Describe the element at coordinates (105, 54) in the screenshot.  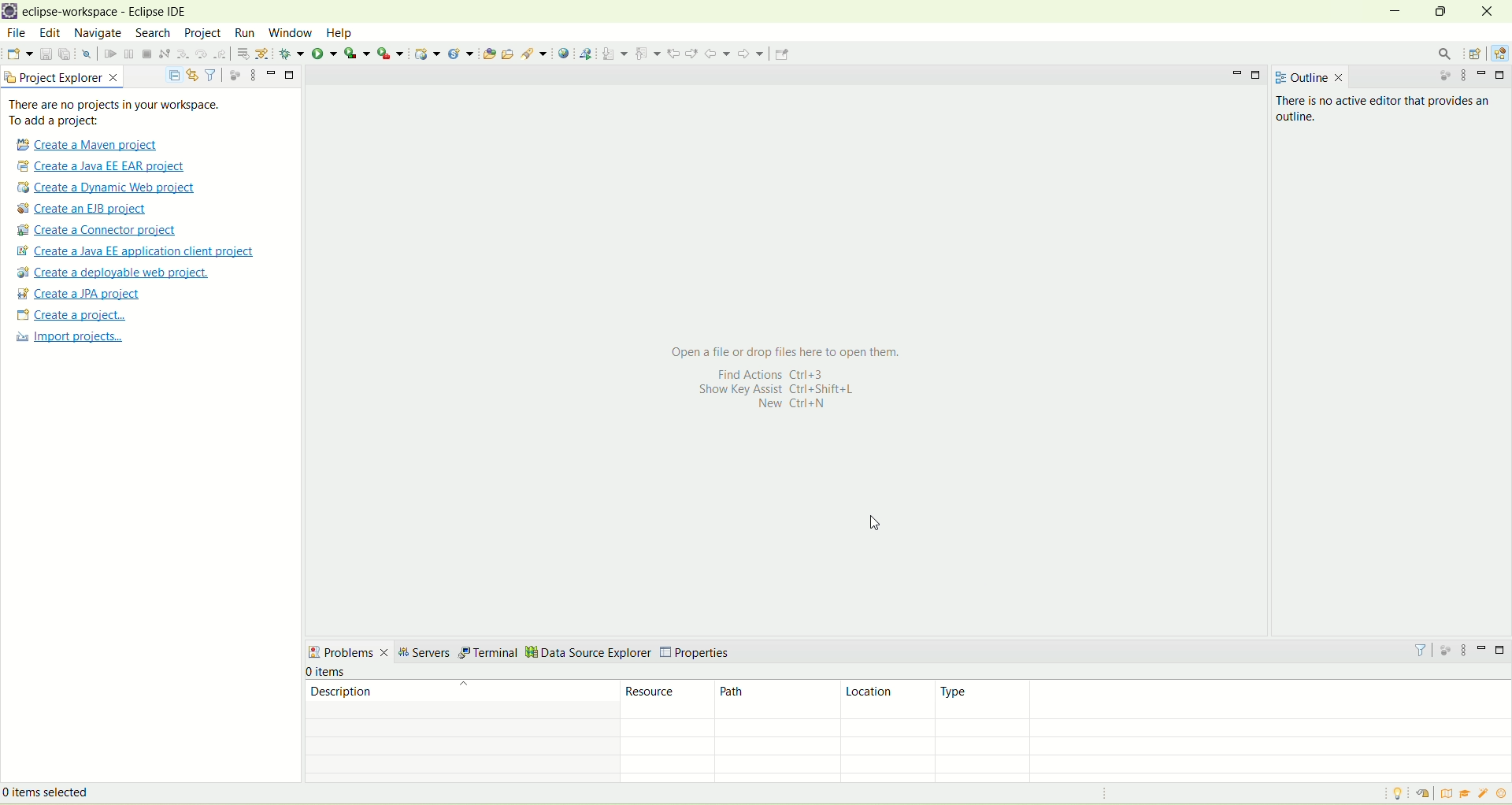
I see `redo` at that location.